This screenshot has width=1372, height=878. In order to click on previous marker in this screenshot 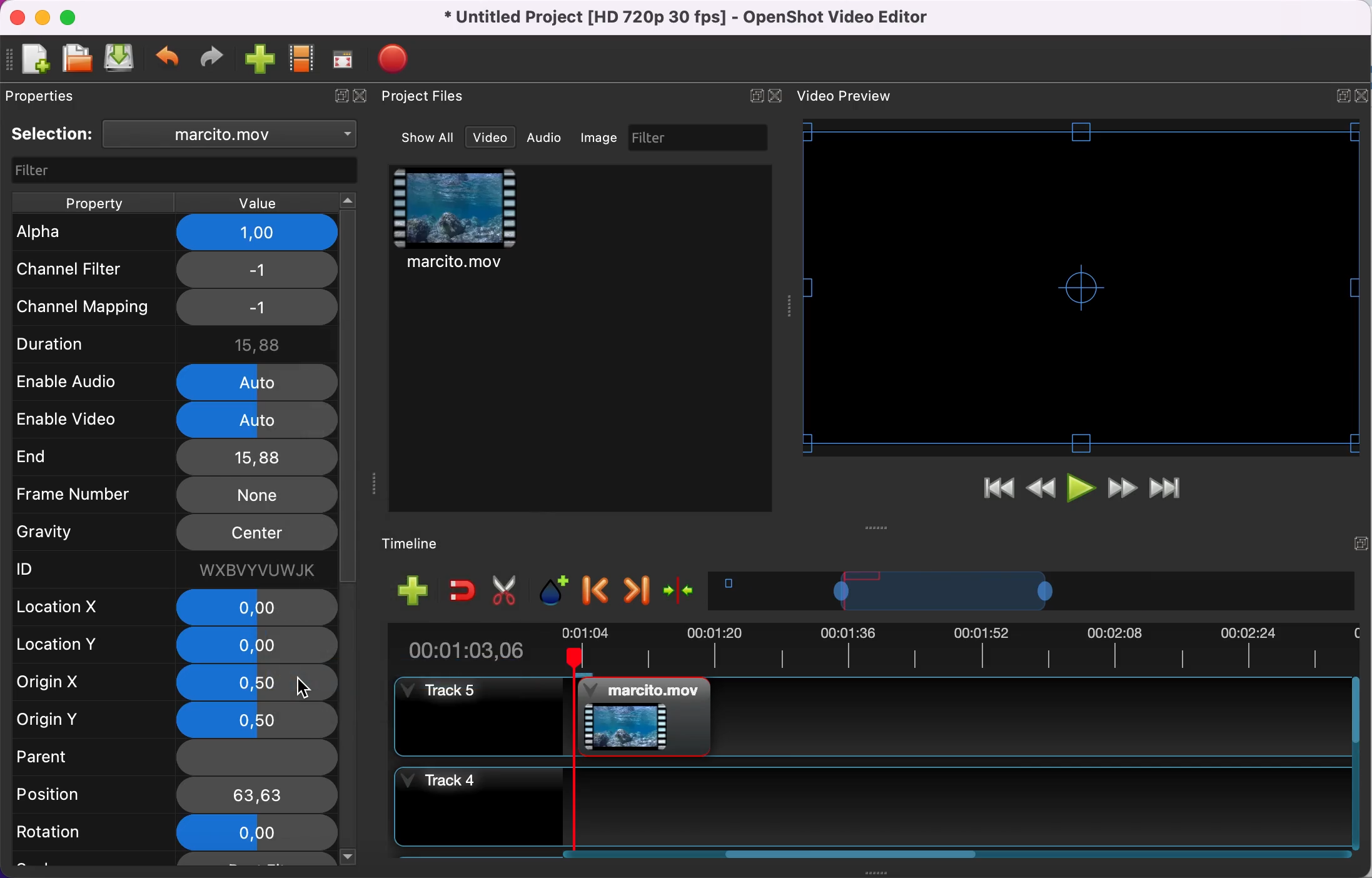, I will do `click(598, 591)`.